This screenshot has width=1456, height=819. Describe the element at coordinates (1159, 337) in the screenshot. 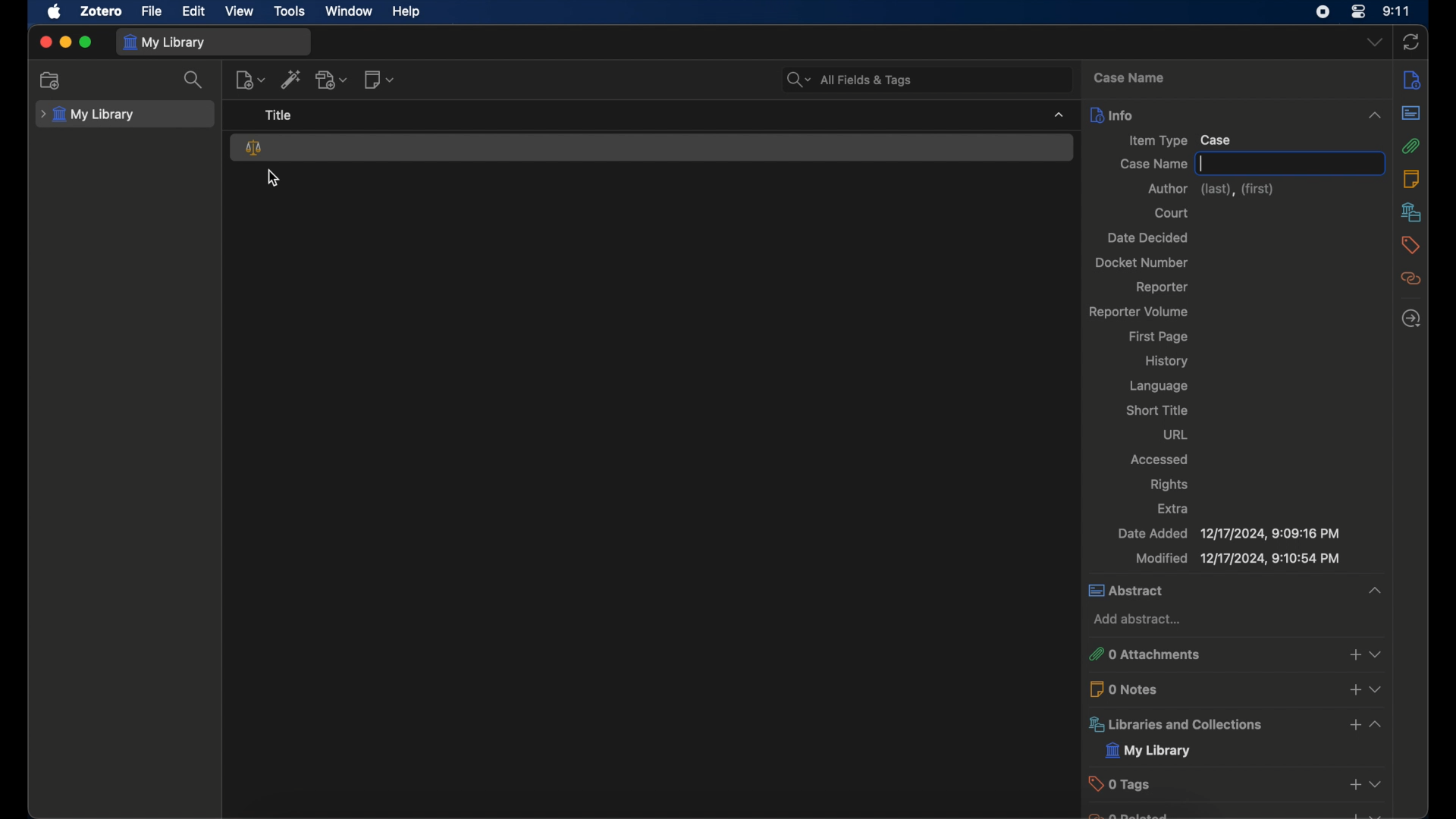

I see `first page` at that location.